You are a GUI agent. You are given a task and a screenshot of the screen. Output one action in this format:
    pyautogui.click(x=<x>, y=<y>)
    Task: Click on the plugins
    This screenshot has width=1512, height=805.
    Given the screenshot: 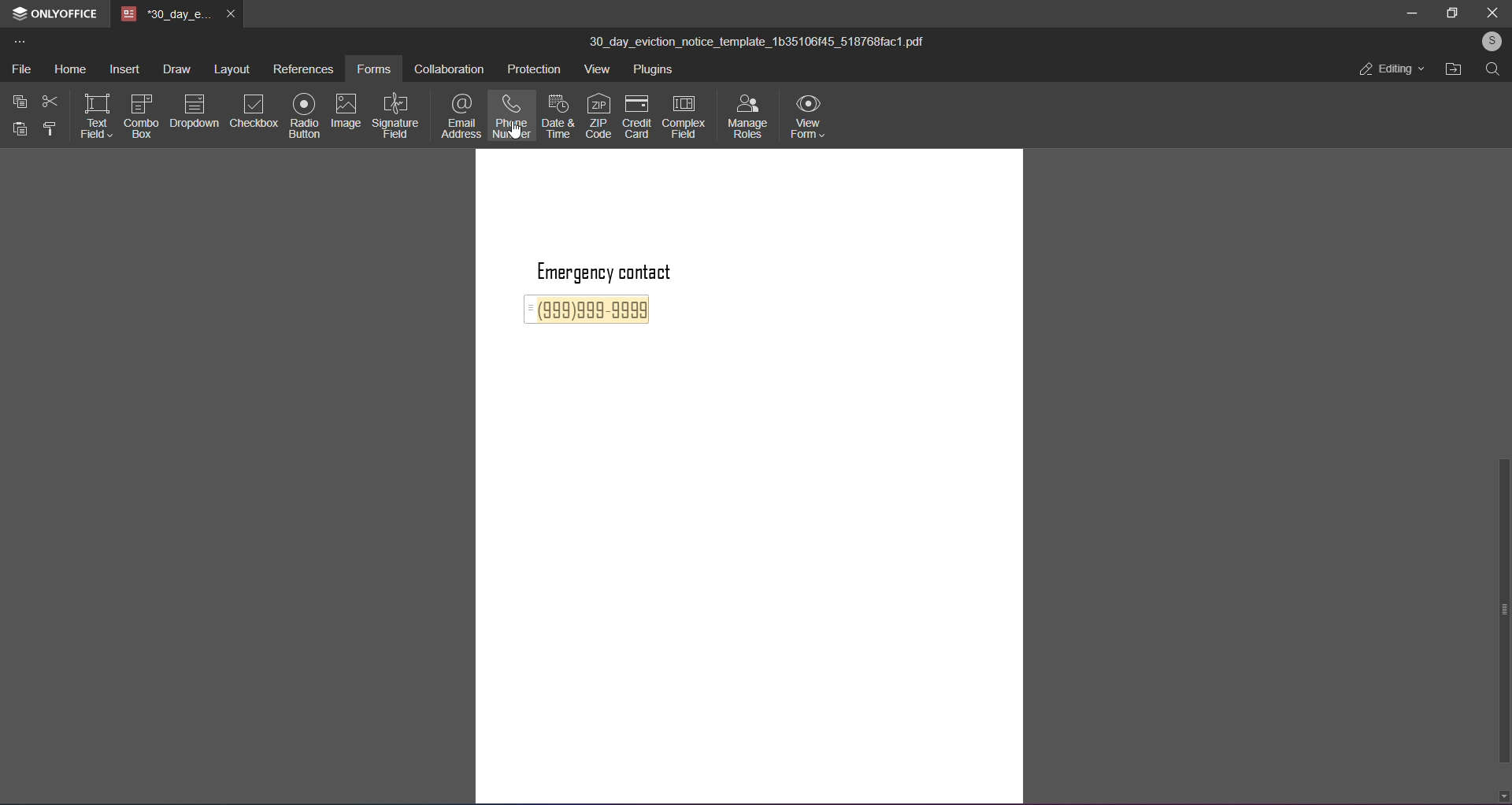 What is the action you would take?
    pyautogui.click(x=657, y=71)
    